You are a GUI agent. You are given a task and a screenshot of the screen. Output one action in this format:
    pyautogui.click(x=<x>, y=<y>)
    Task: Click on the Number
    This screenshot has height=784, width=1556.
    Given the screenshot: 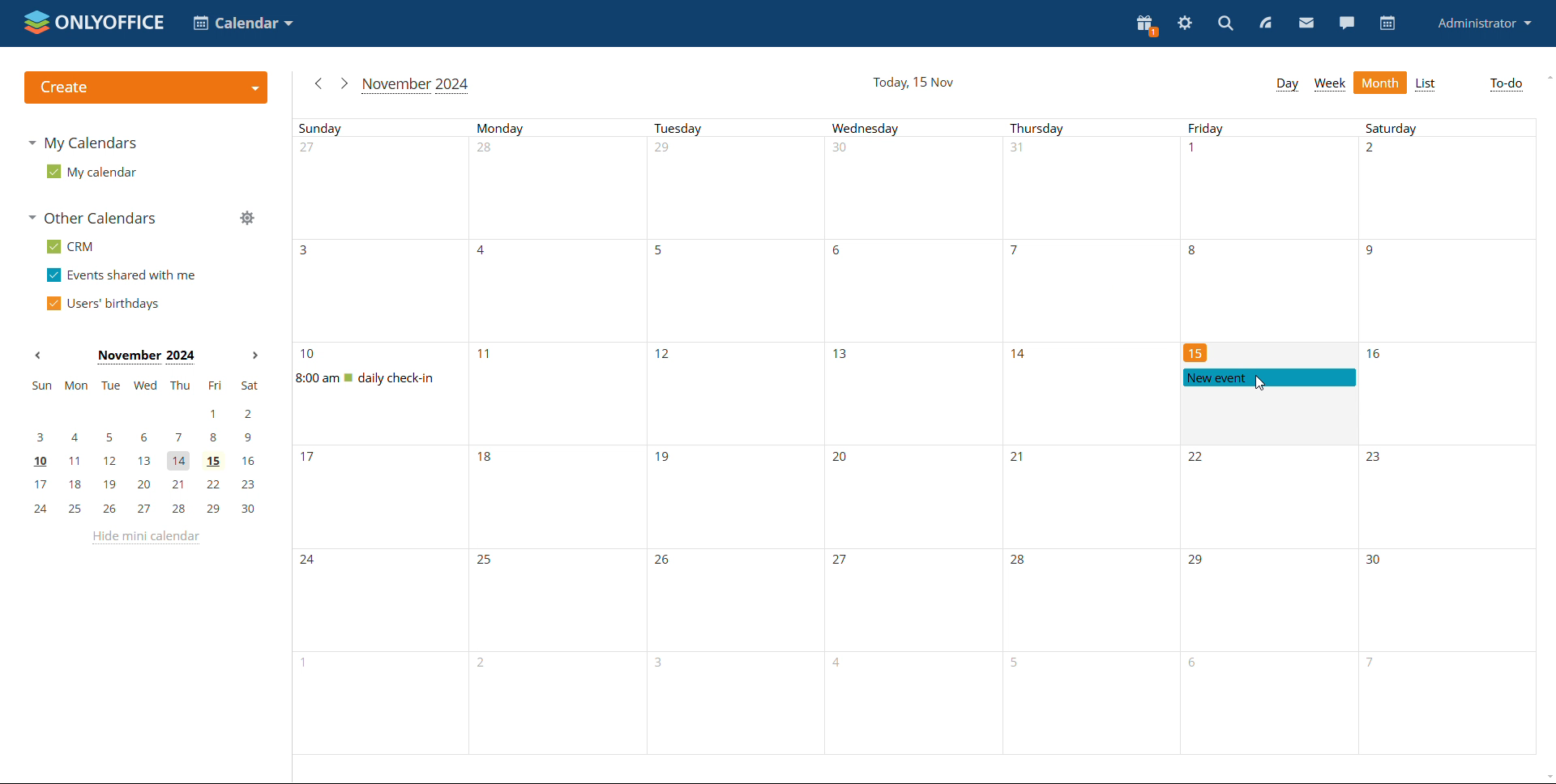 What is the action you would take?
    pyautogui.click(x=1191, y=252)
    